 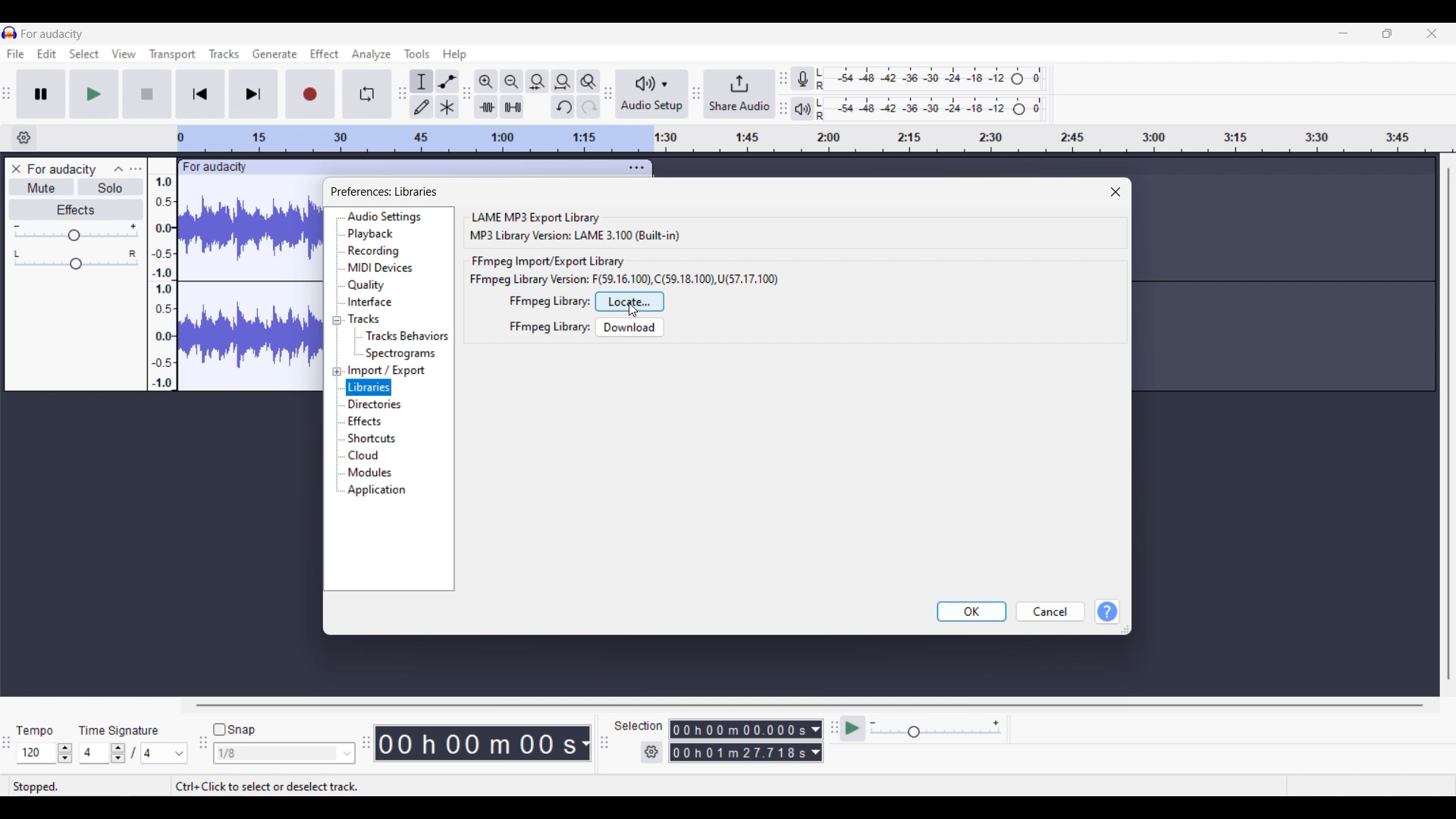 What do you see at coordinates (1387, 33) in the screenshot?
I see `Show in smaller tab` at bounding box center [1387, 33].